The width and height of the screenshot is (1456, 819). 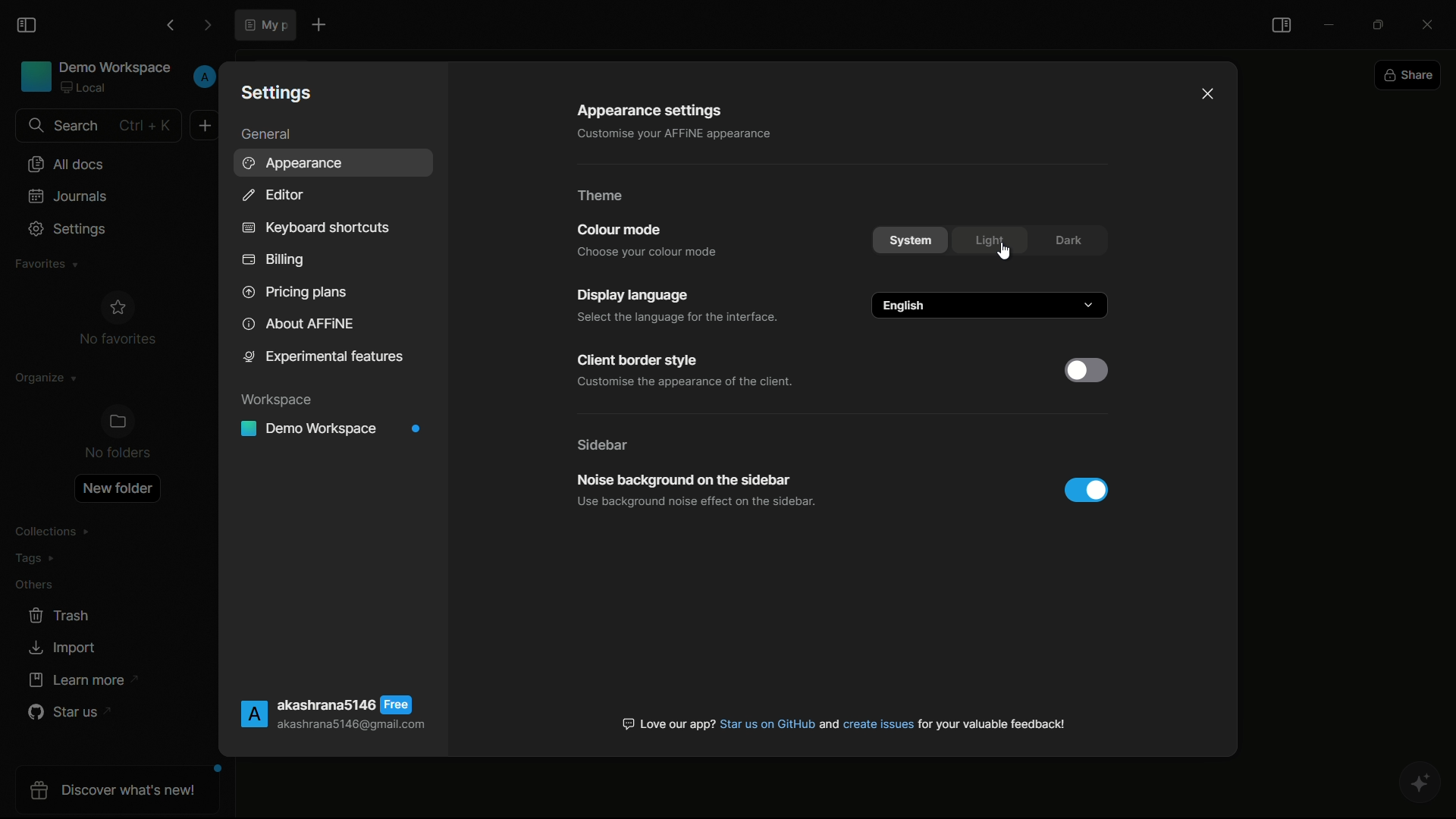 What do you see at coordinates (686, 384) in the screenshot?
I see `Customise the appearance of the client.` at bounding box center [686, 384].